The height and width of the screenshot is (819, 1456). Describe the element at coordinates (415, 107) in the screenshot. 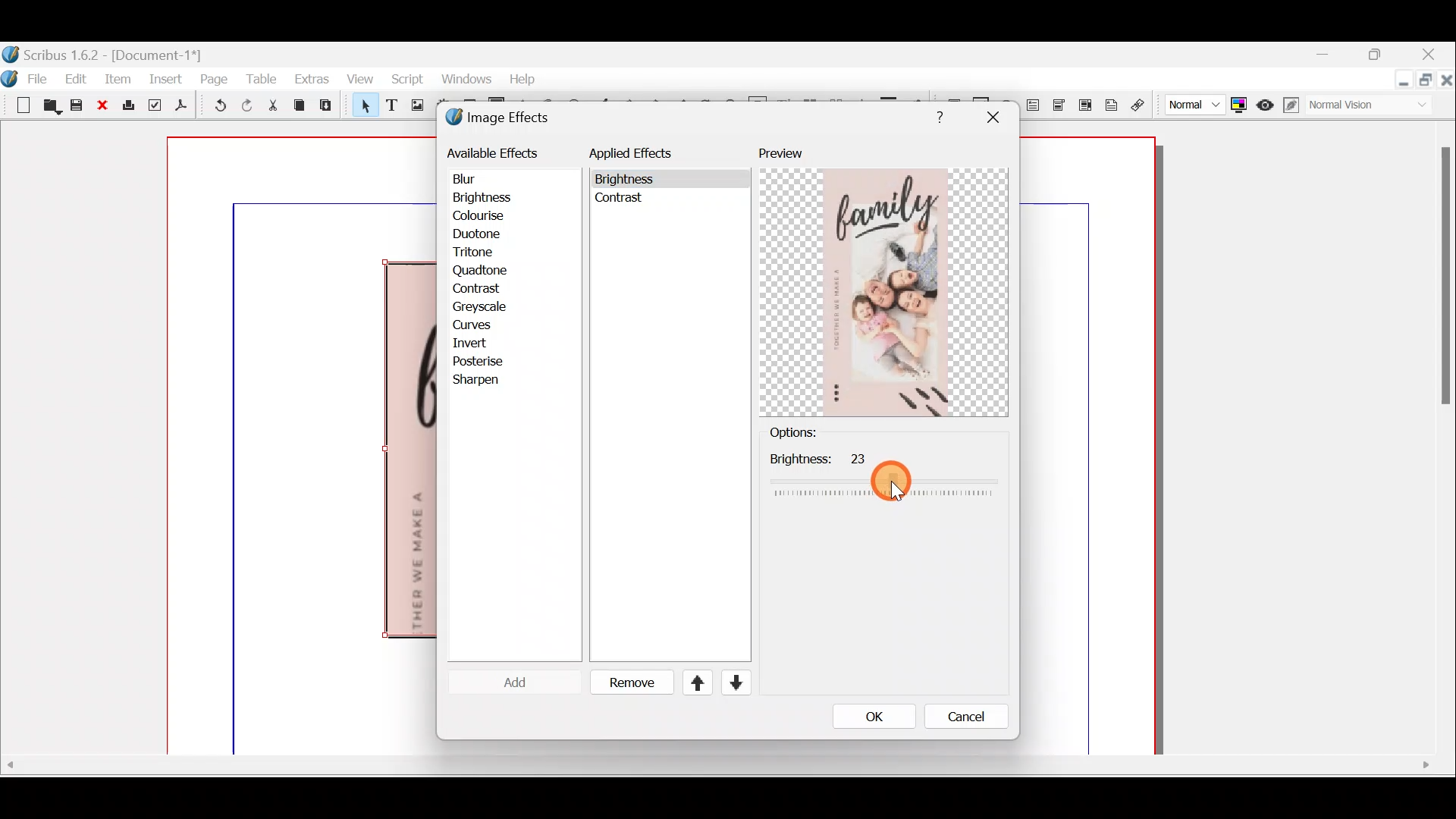

I see `Image frame` at that location.